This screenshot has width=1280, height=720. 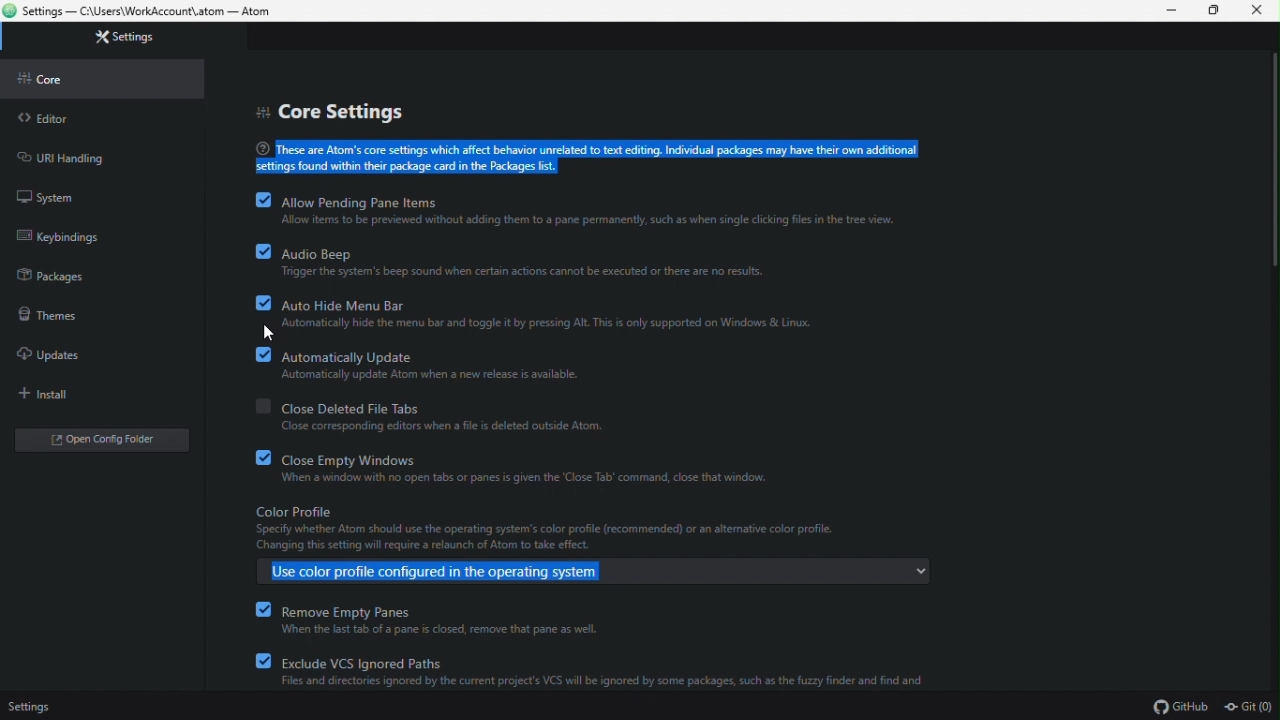 I want to click on theme, so click(x=48, y=319).